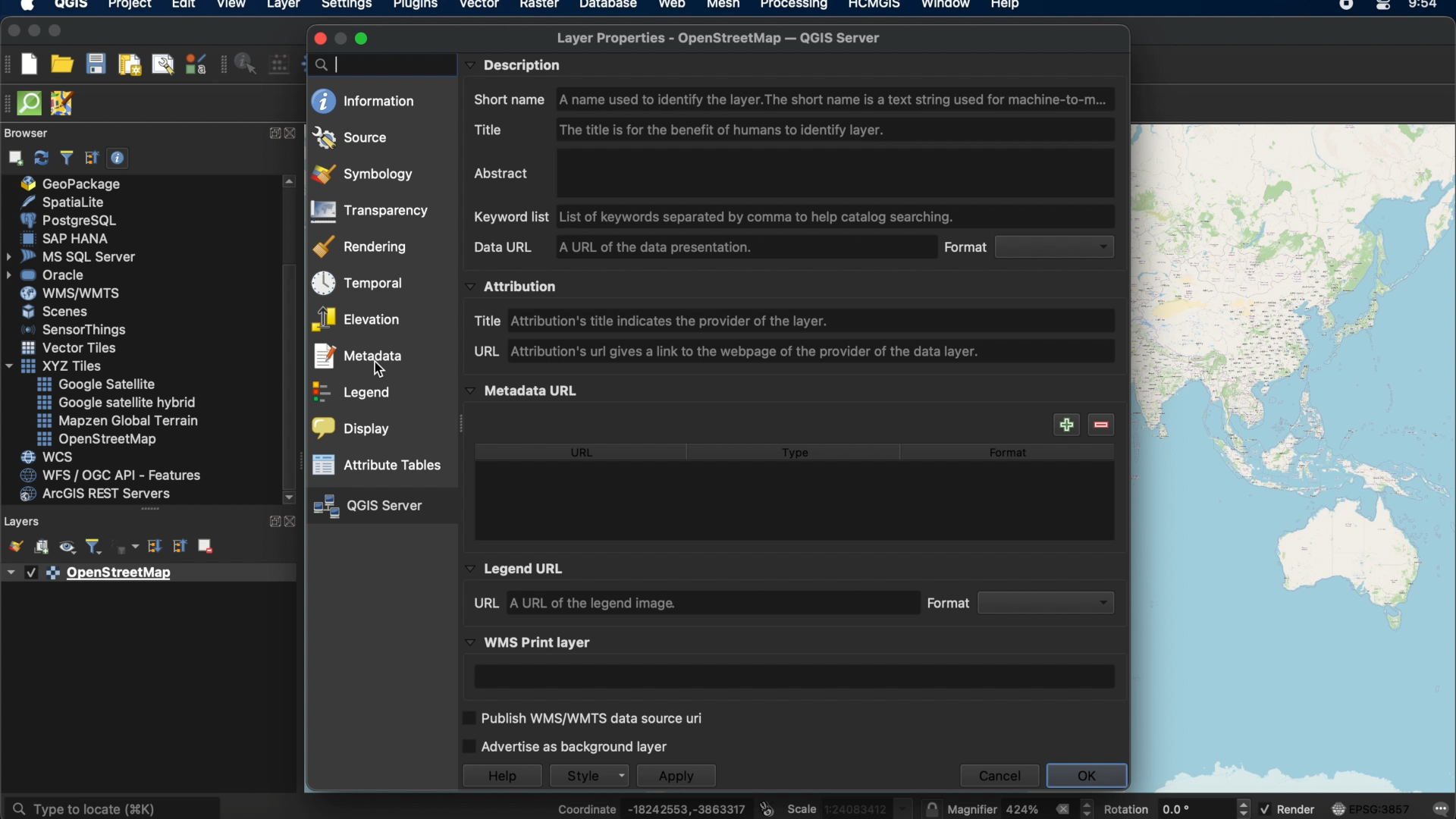 The height and width of the screenshot is (819, 1456). Describe the element at coordinates (75, 202) in the screenshot. I see `spatiallite` at that location.